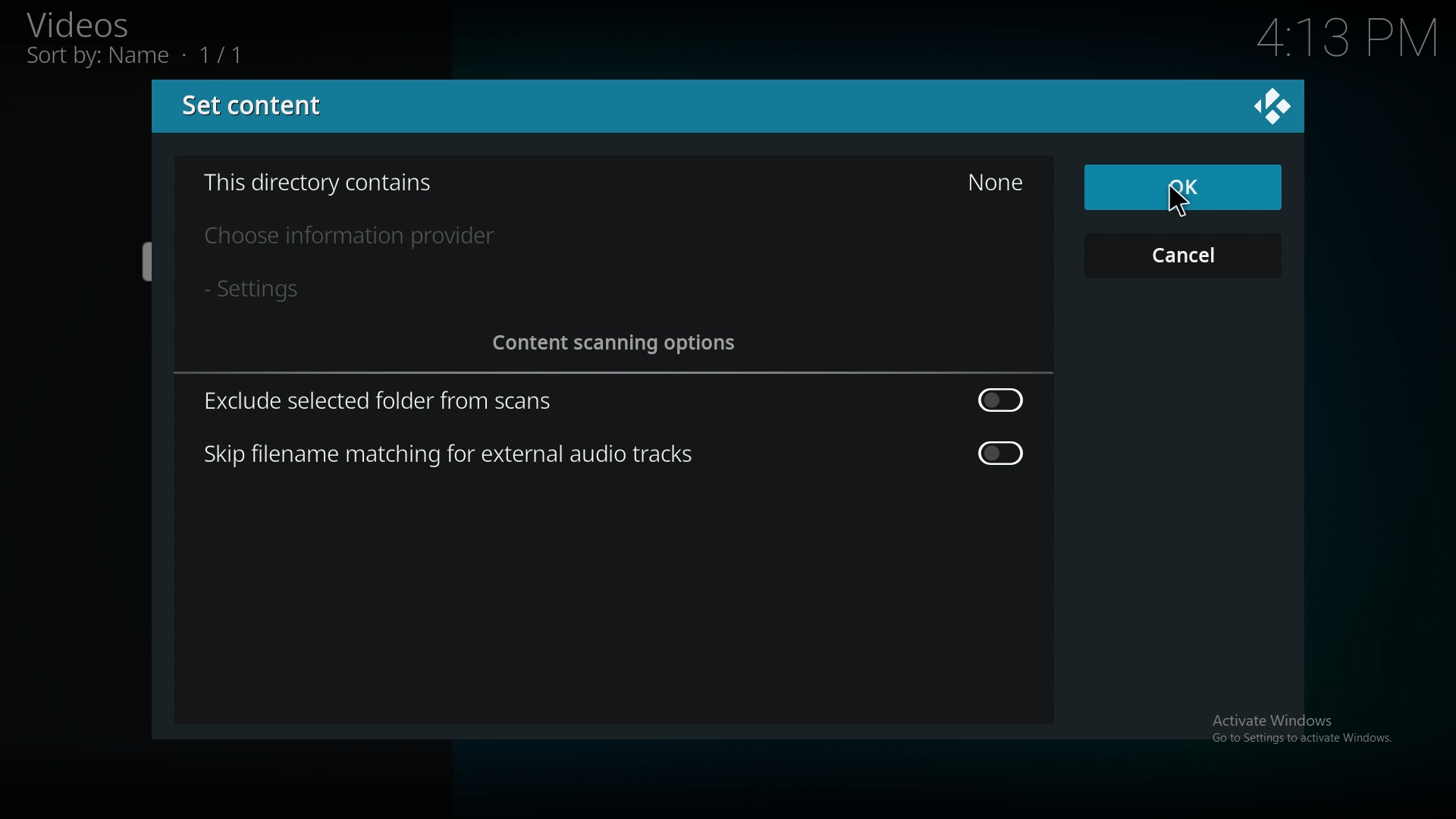 Image resolution: width=1456 pixels, height=819 pixels. What do you see at coordinates (256, 106) in the screenshot?
I see `set content` at bounding box center [256, 106].